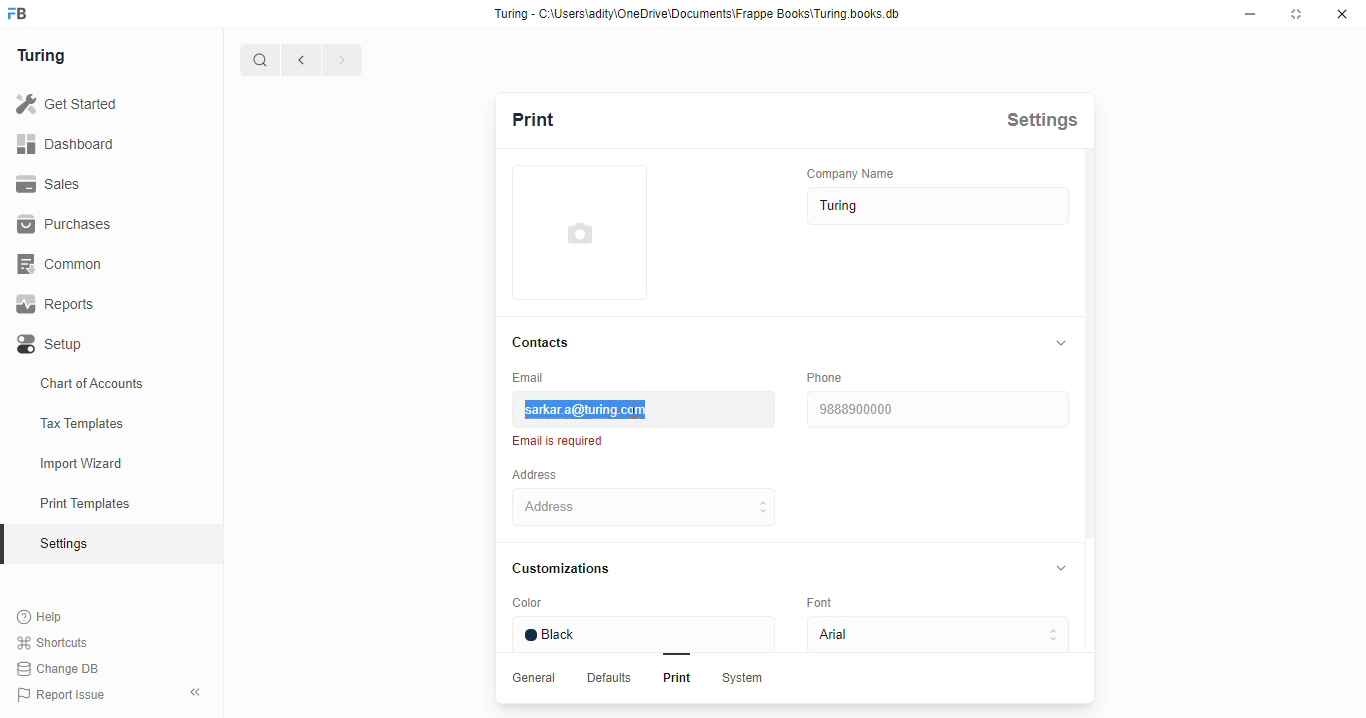  What do you see at coordinates (1049, 119) in the screenshot?
I see `Settings` at bounding box center [1049, 119].